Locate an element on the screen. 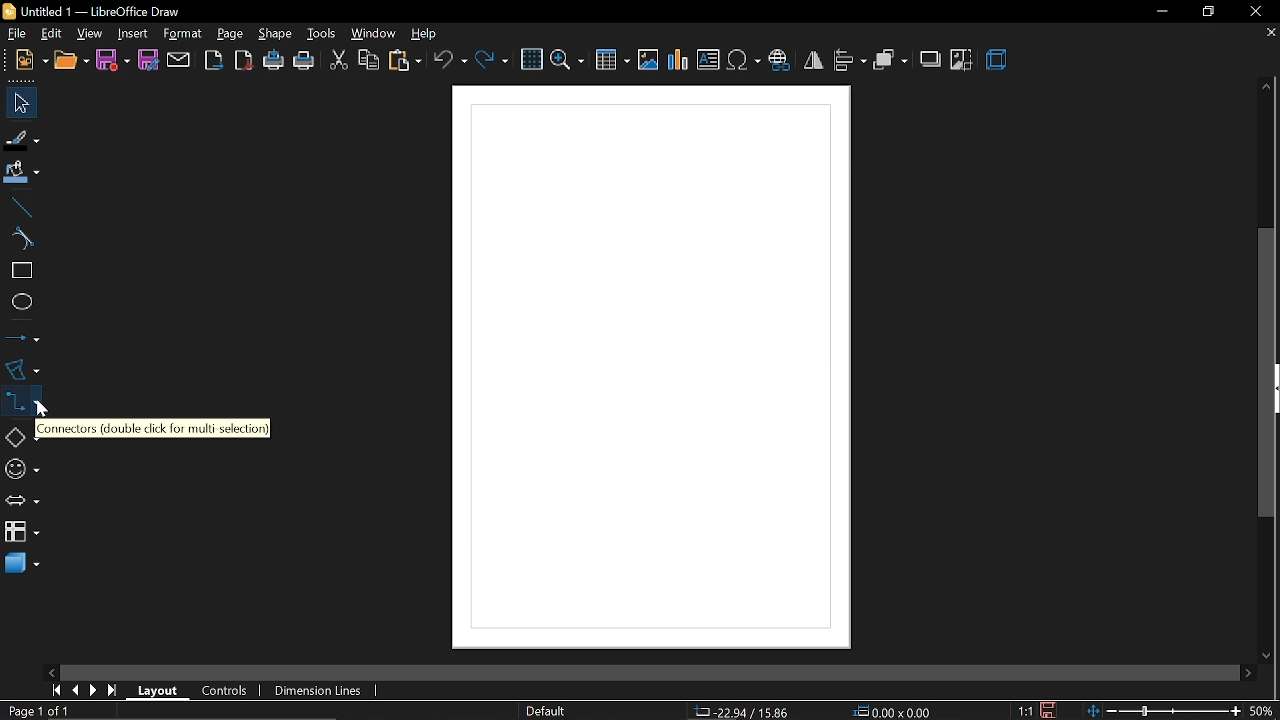 The image size is (1280, 720). Insert image is located at coordinates (649, 61).